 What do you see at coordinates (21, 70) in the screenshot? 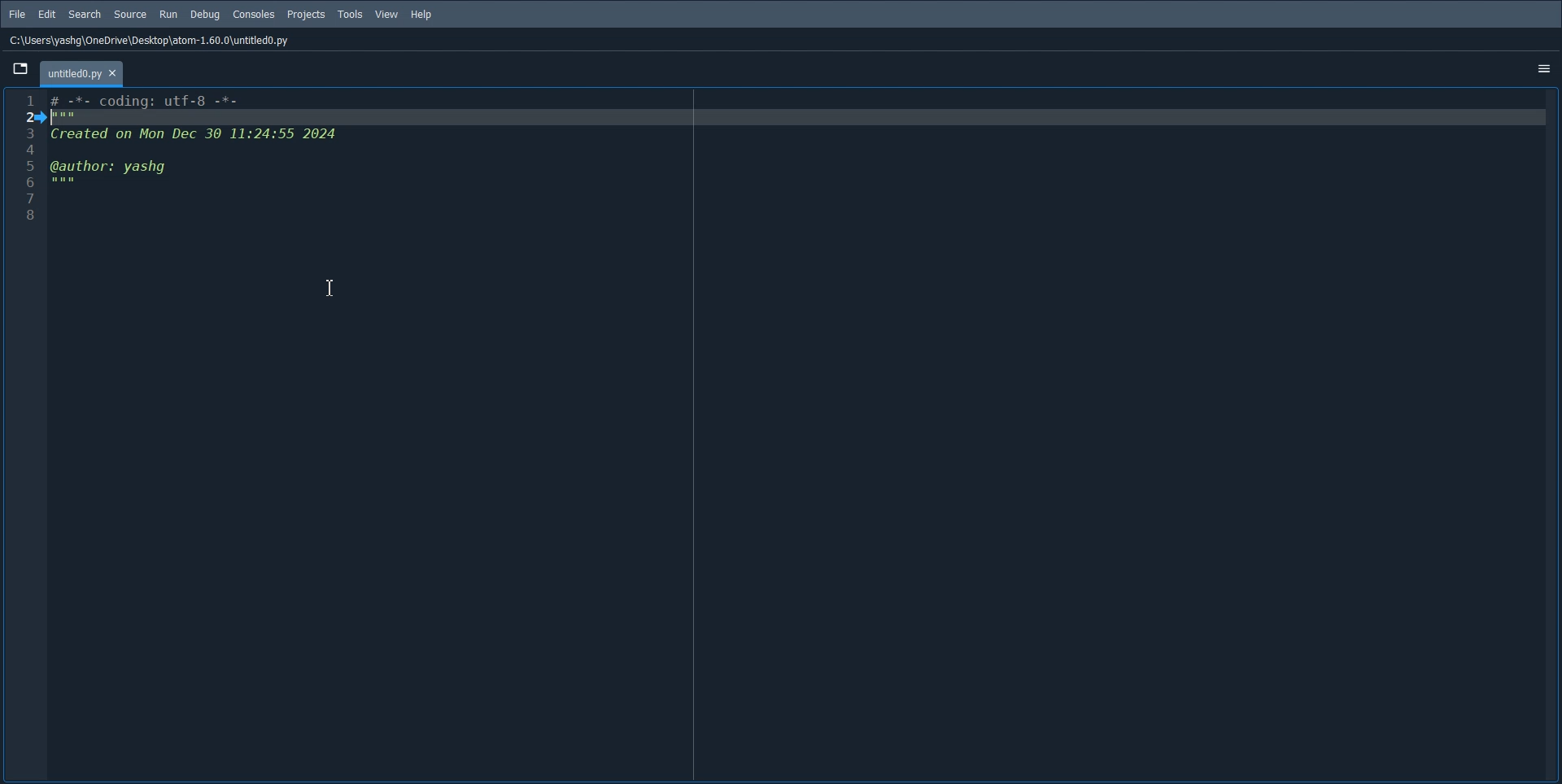
I see `Browse tab` at bounding box center [21, 70].